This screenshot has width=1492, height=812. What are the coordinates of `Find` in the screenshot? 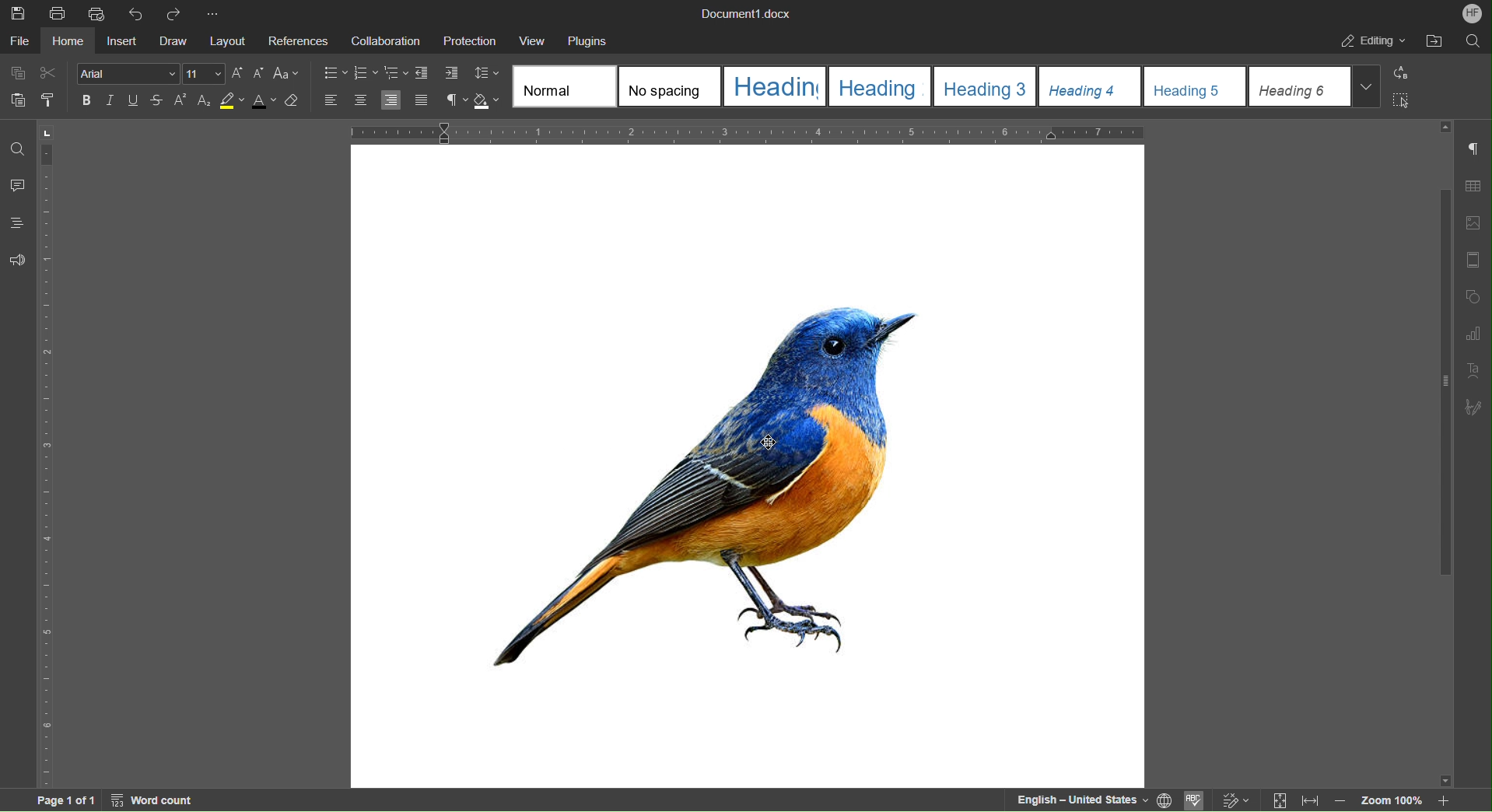 It's located at (17, 147).